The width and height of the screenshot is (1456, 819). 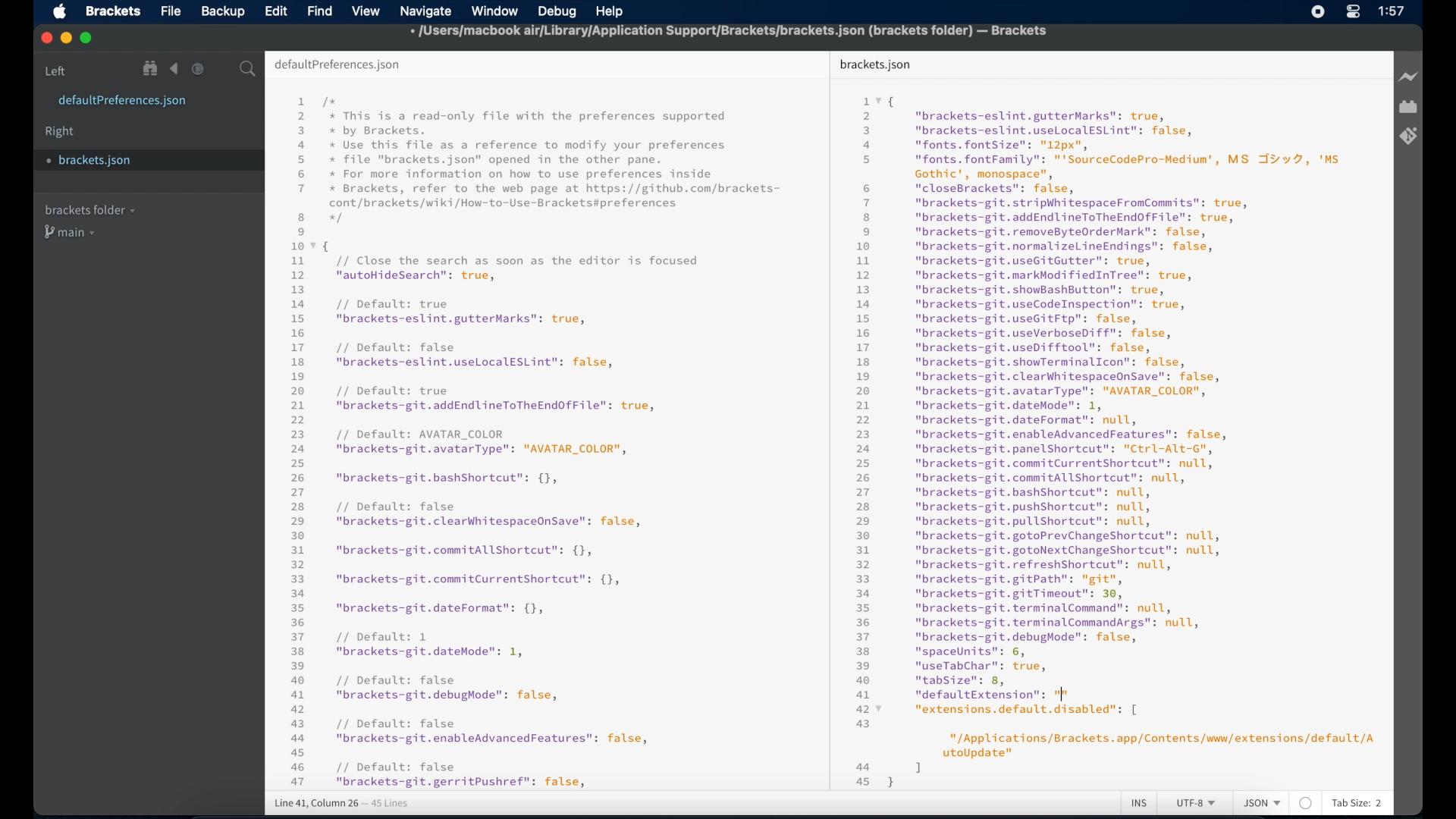 I want to click on tab size: 2, so click(x=1357, y=804).